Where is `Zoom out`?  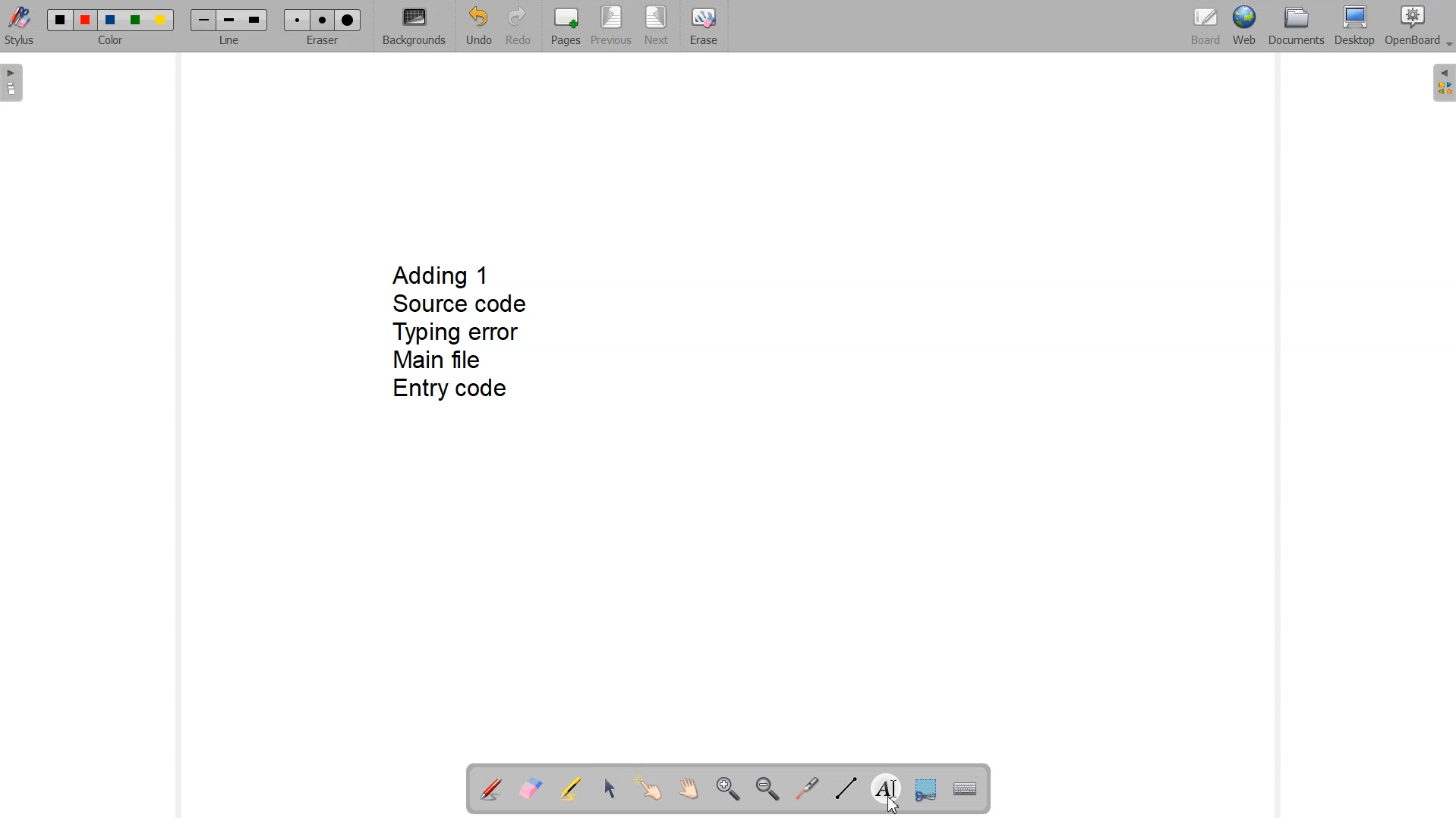
Zoom out is located at coordinates (767, 788).